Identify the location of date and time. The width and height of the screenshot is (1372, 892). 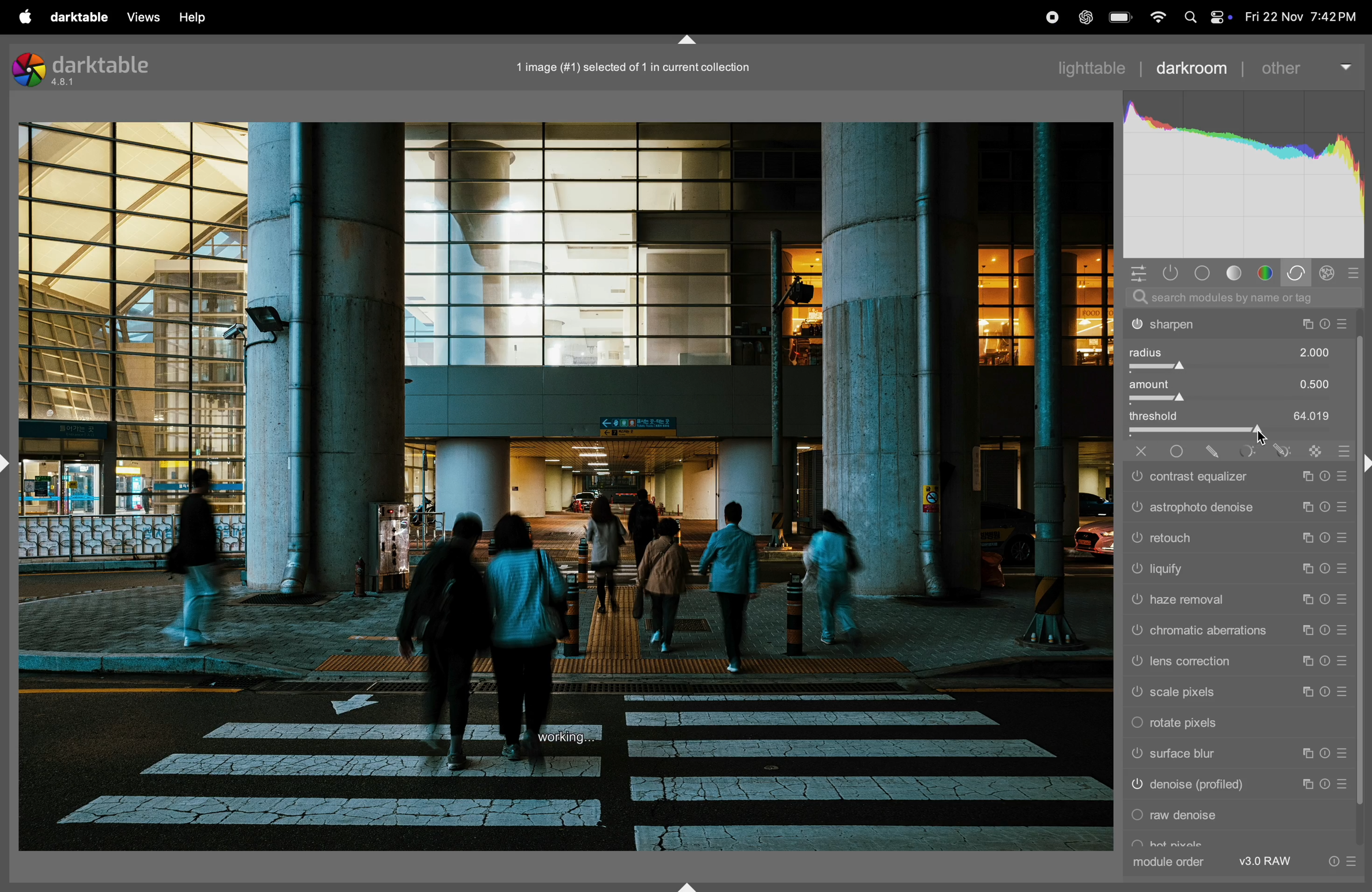
(1302, 14).